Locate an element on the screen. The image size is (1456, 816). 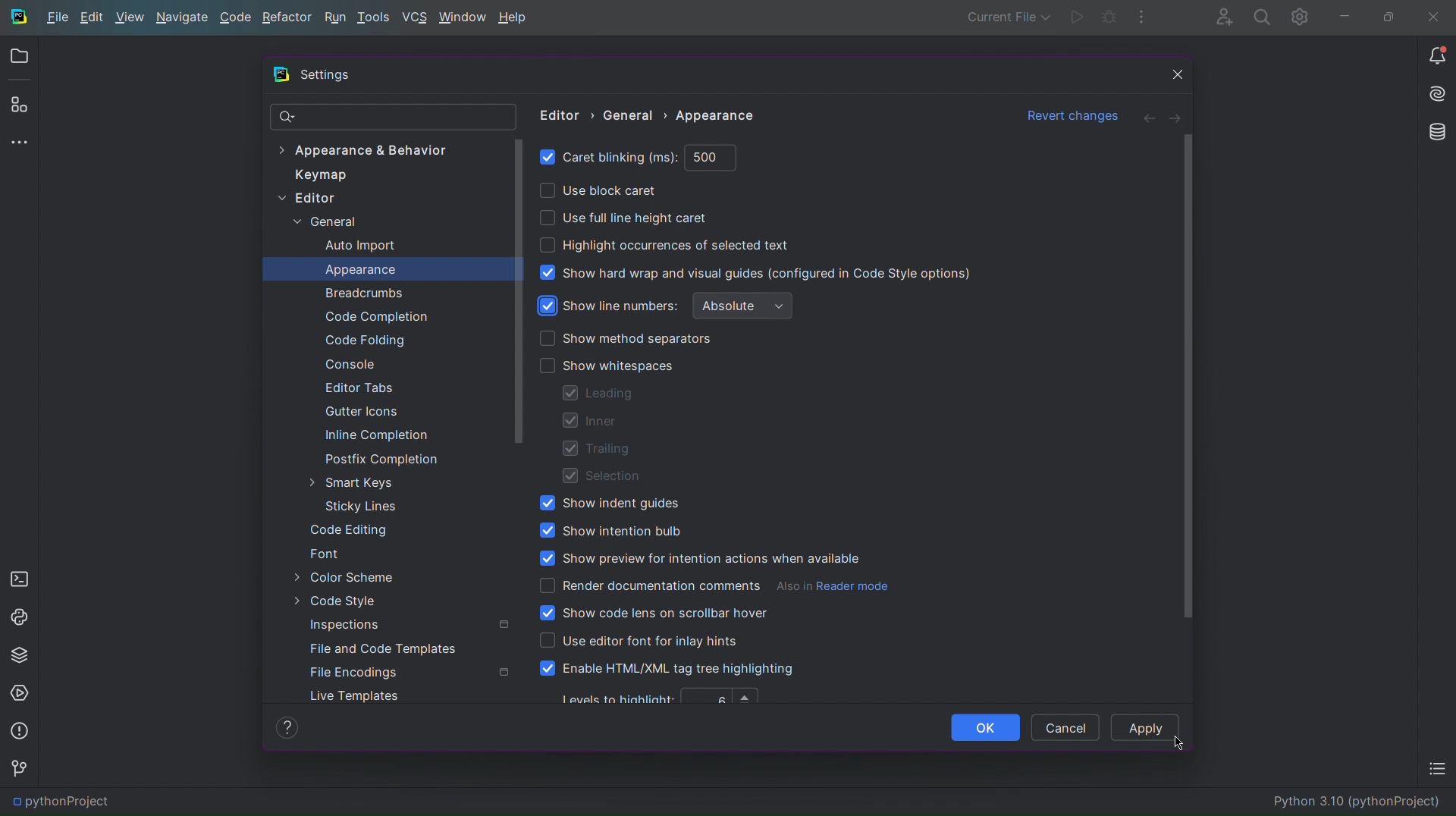
Show whitespaces is located at coordinates (606, 366).